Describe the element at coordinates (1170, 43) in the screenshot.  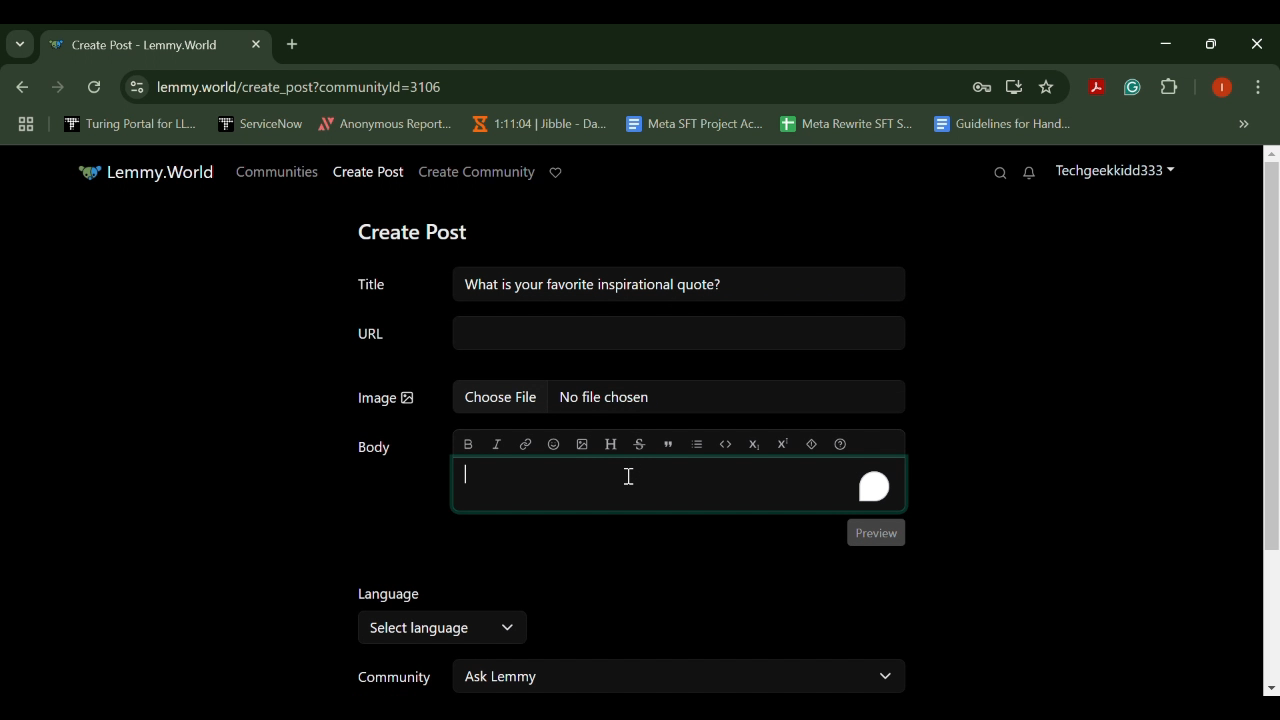
I see `Restore Down` at that location.